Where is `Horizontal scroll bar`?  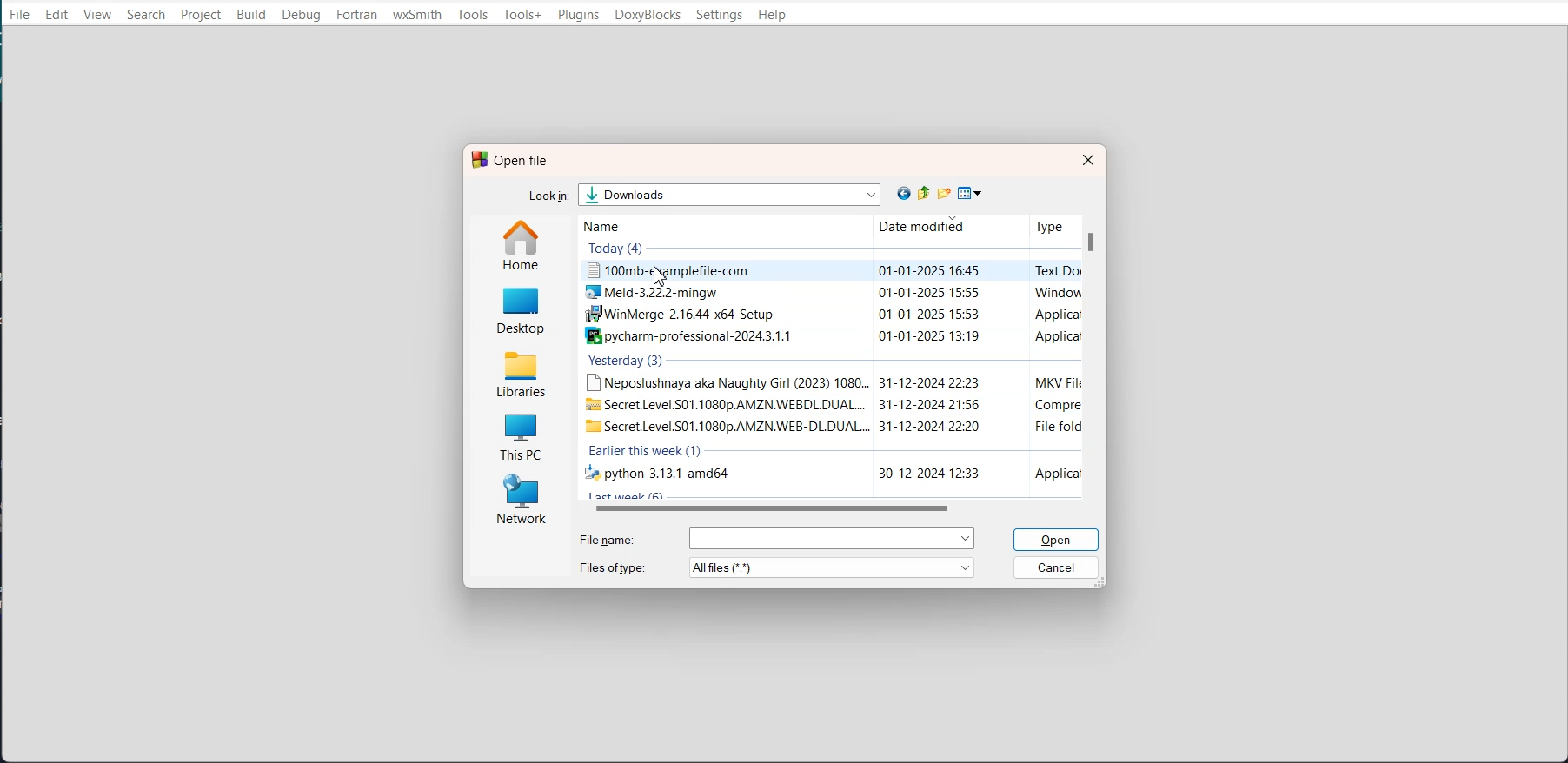
Horizontal scroll bar is located at coordinates (838, 508).